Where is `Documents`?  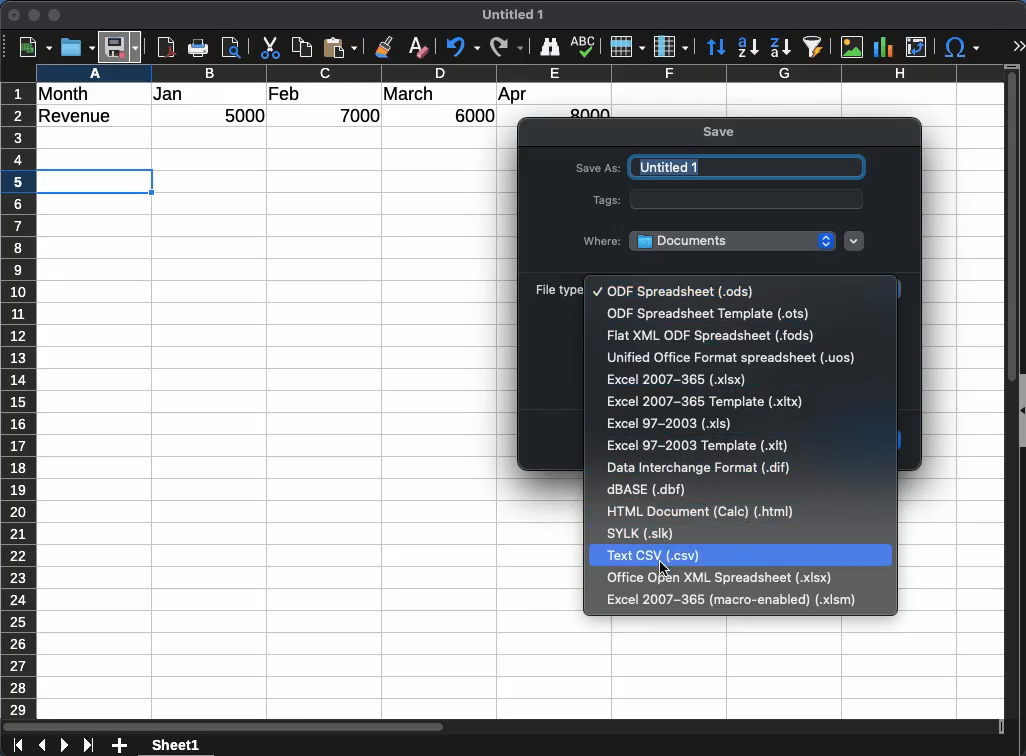
Documents is located at coordinates (733, 240).